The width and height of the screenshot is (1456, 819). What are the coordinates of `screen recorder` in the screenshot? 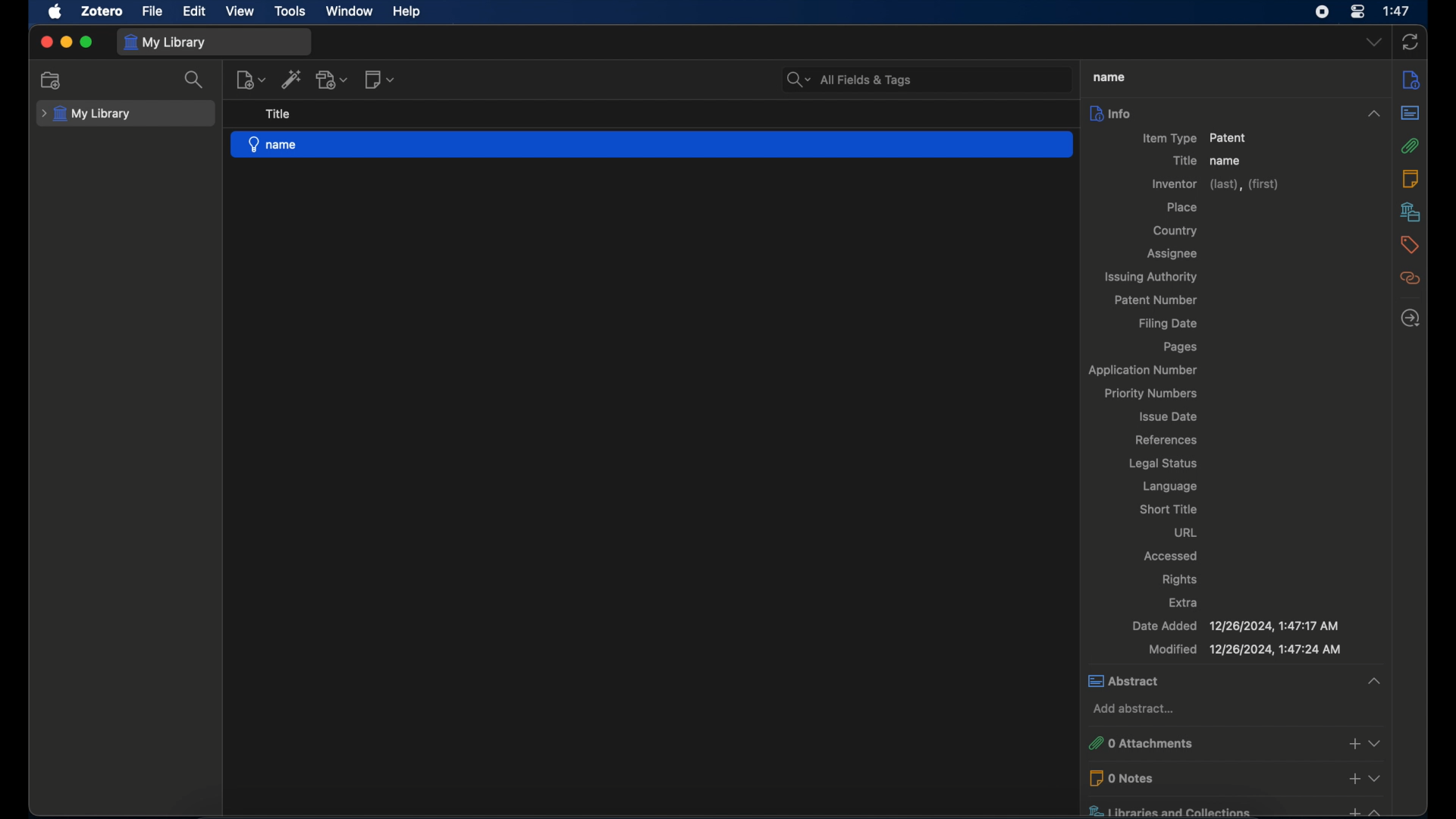 It's located at (1323, 11).